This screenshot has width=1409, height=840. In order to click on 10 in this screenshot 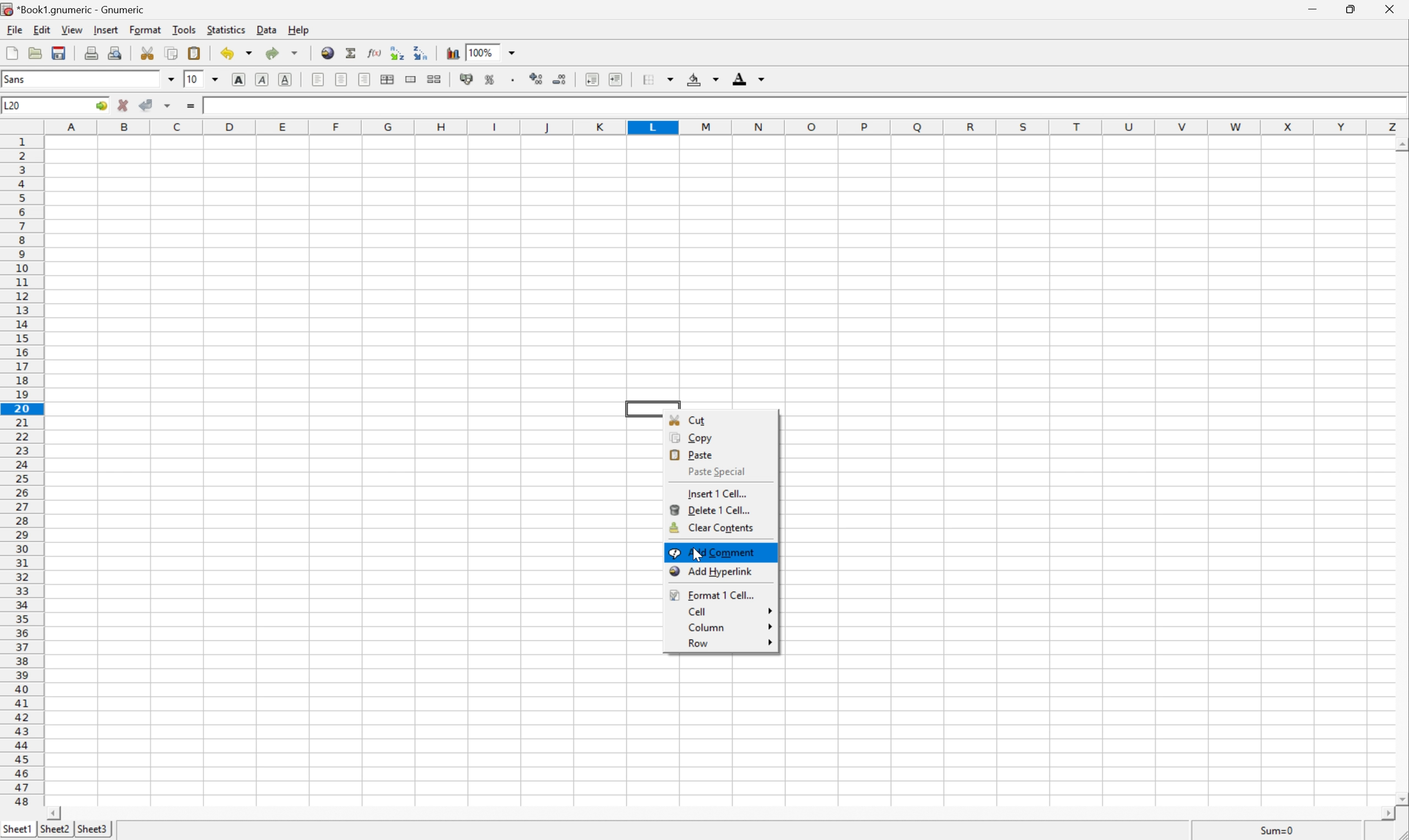, I will do `click(194, 80)`.